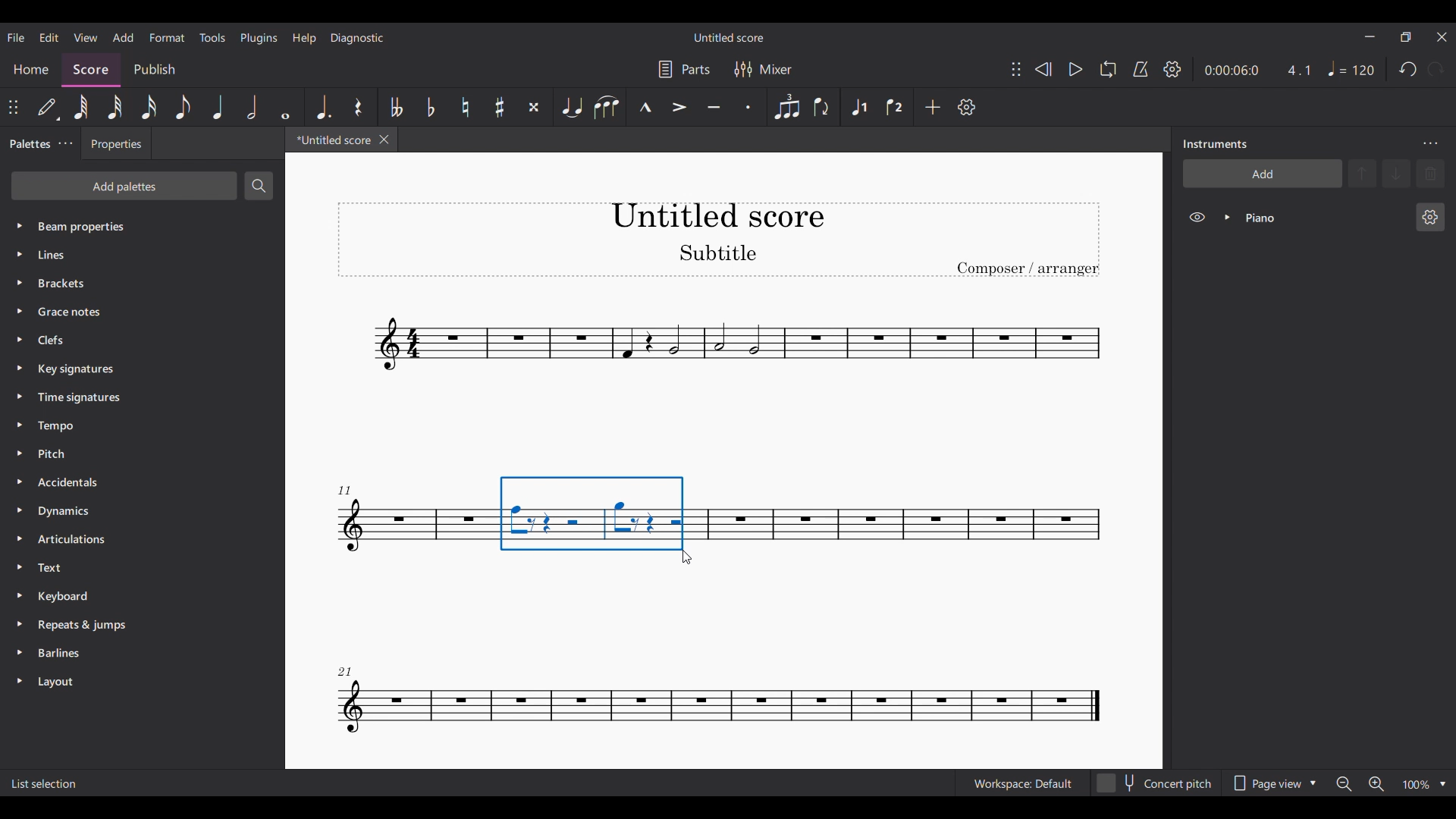  What do you see at coordinates (124, 37) in the screenshot?
I see `Add menu` at bounding box center [124, 37].